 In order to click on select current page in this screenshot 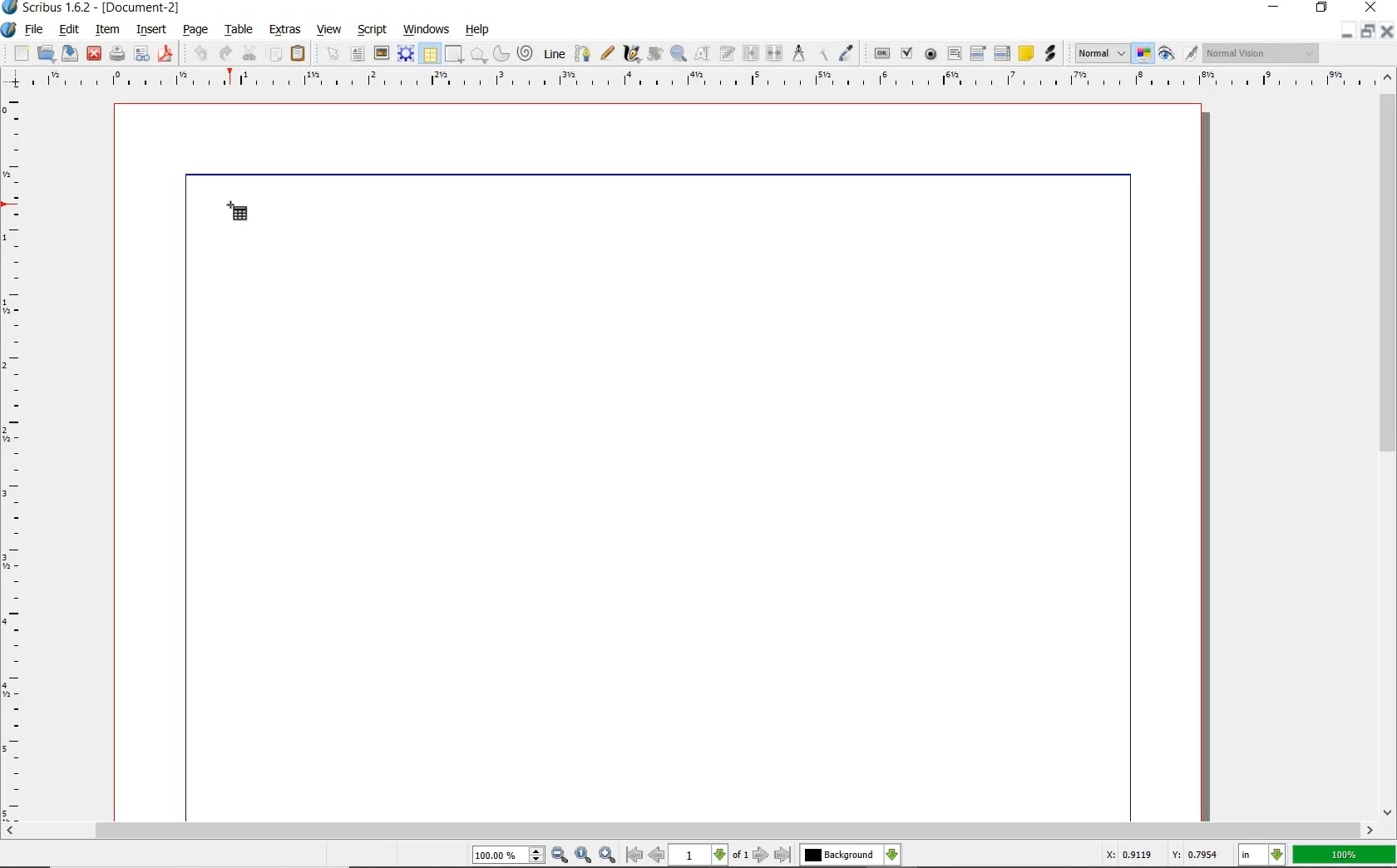, I will do `click(708, 856)`.